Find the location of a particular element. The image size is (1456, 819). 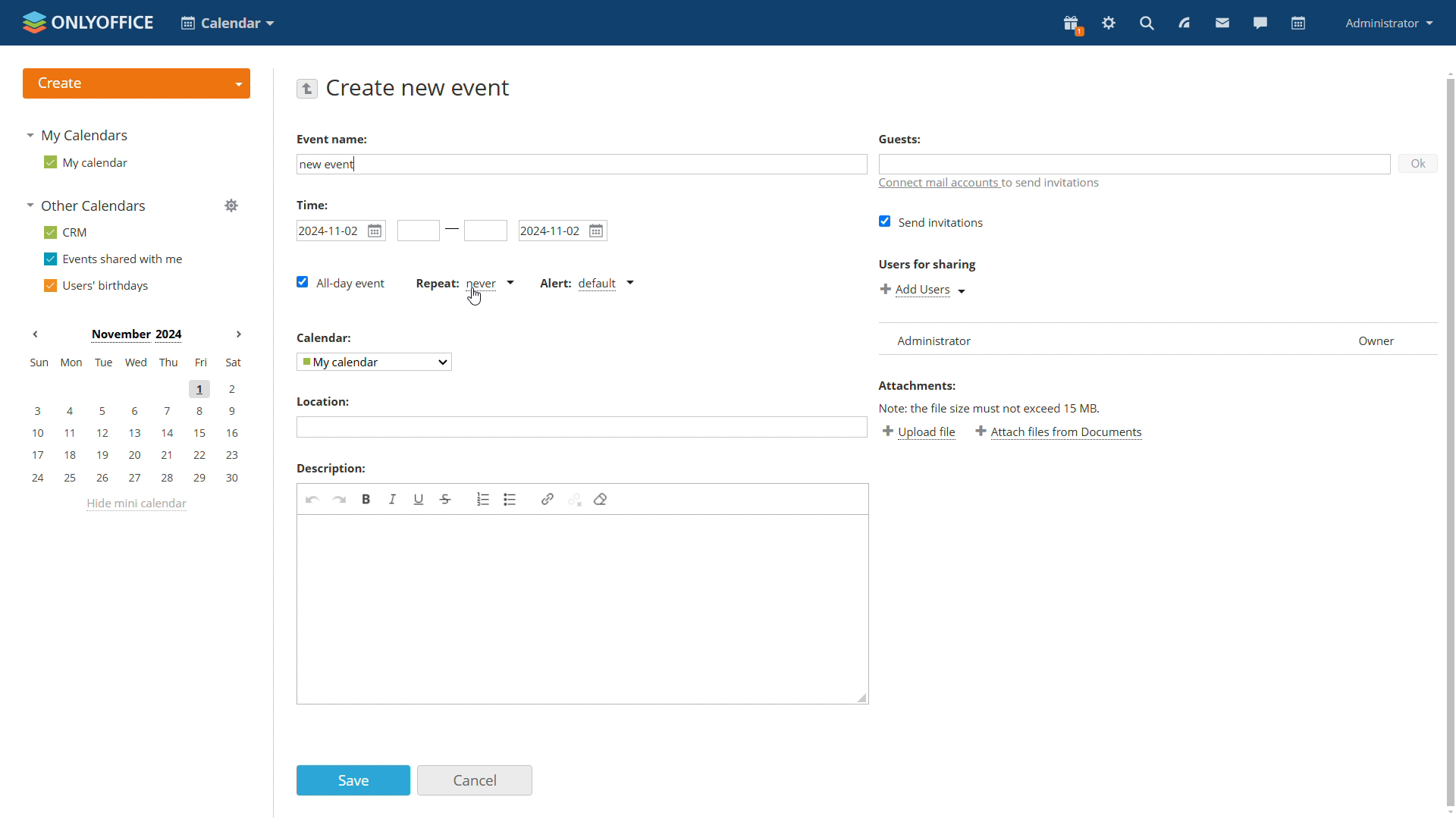

event end date is located at coordinates (563, 230).